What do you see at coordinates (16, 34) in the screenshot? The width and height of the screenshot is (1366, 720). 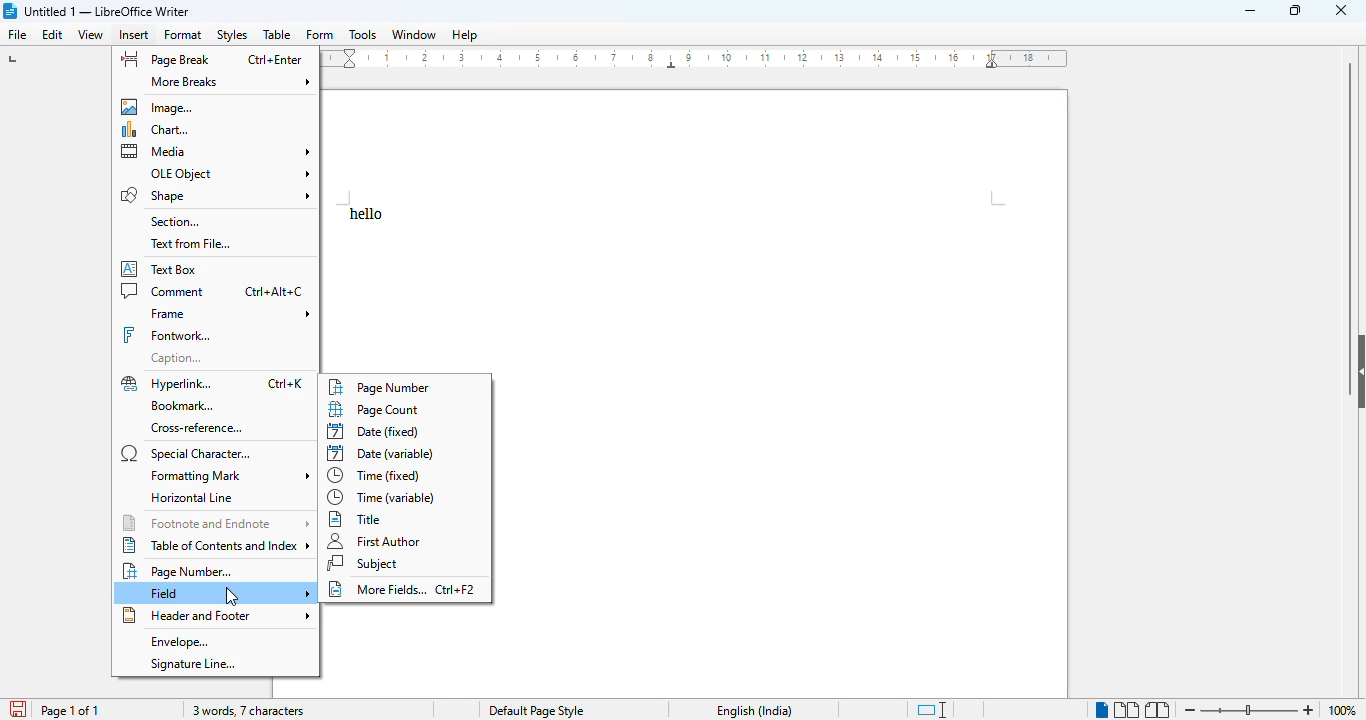 I see `file` at bounding box center [16, 34].